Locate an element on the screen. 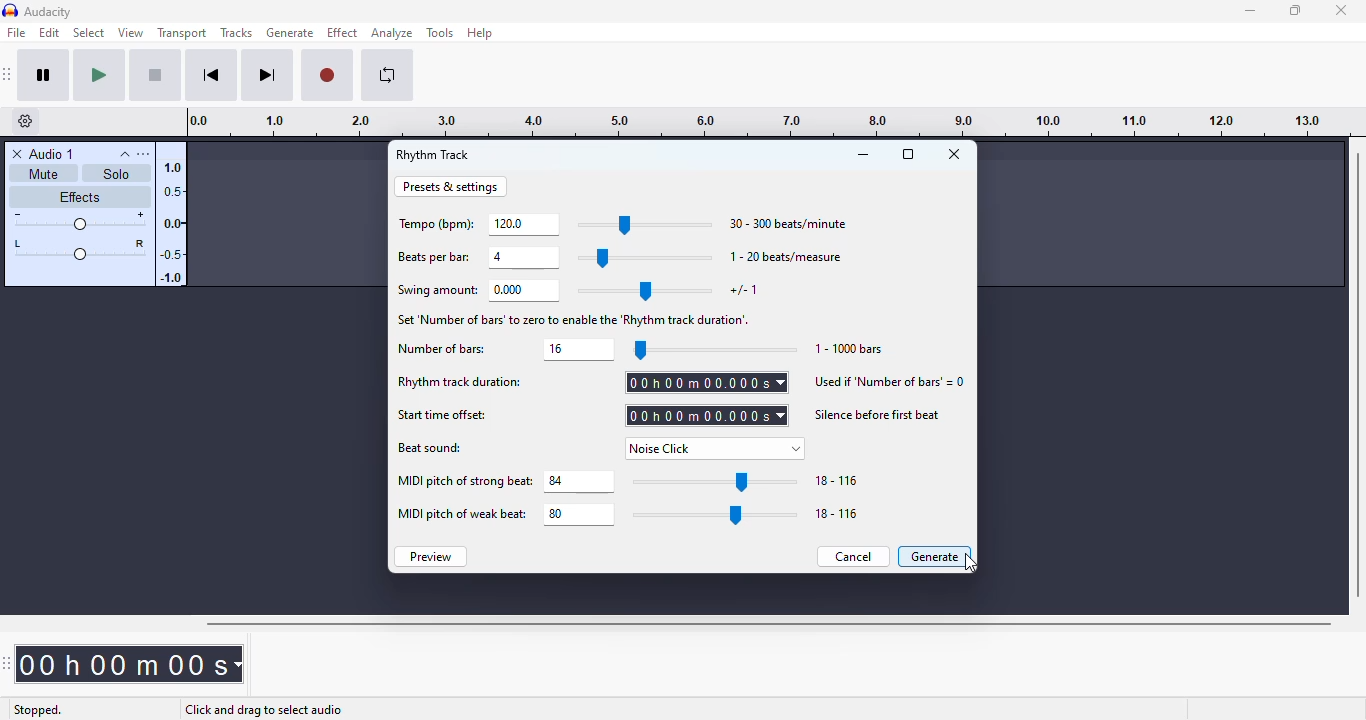  close is located at coordinates (954, 153).